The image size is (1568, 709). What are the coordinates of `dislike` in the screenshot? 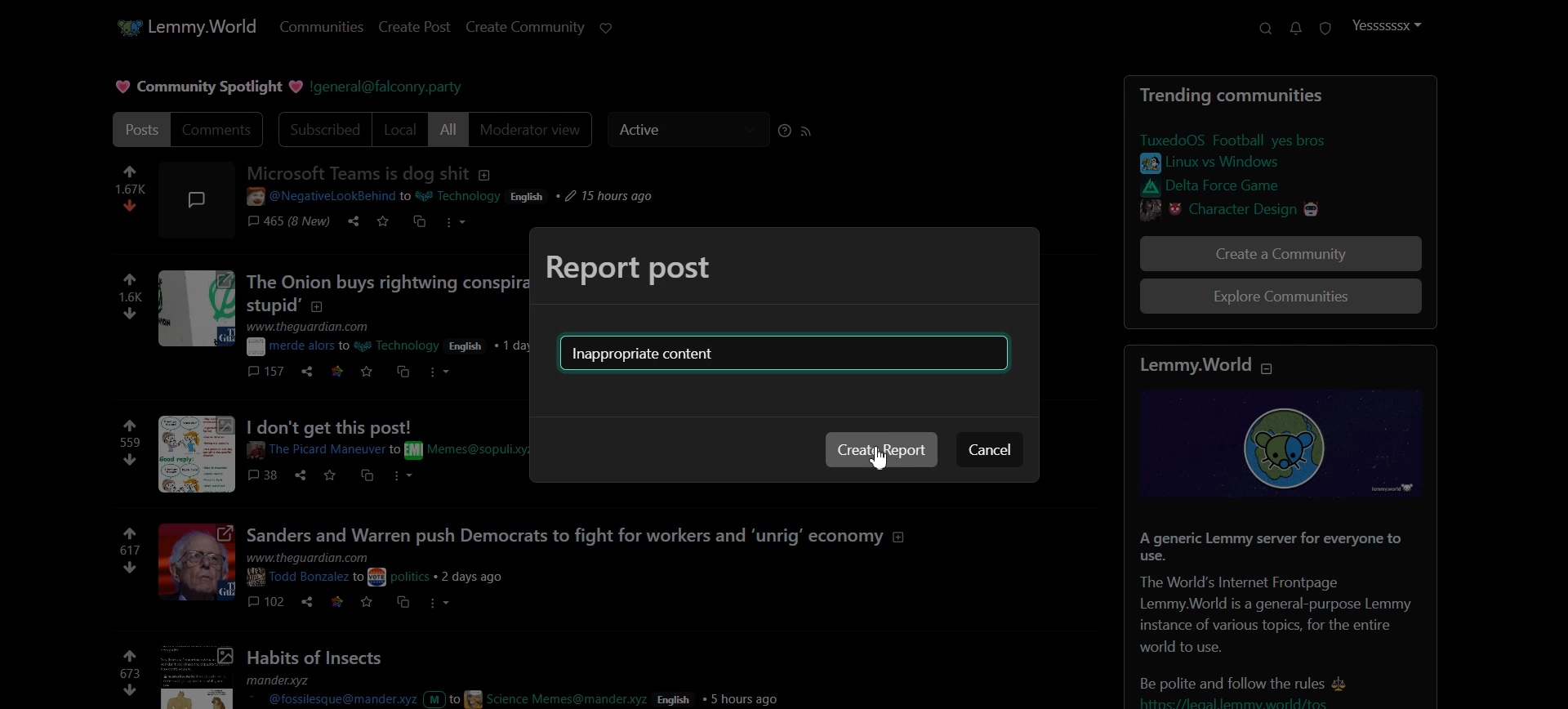 It's located at (134, 314).